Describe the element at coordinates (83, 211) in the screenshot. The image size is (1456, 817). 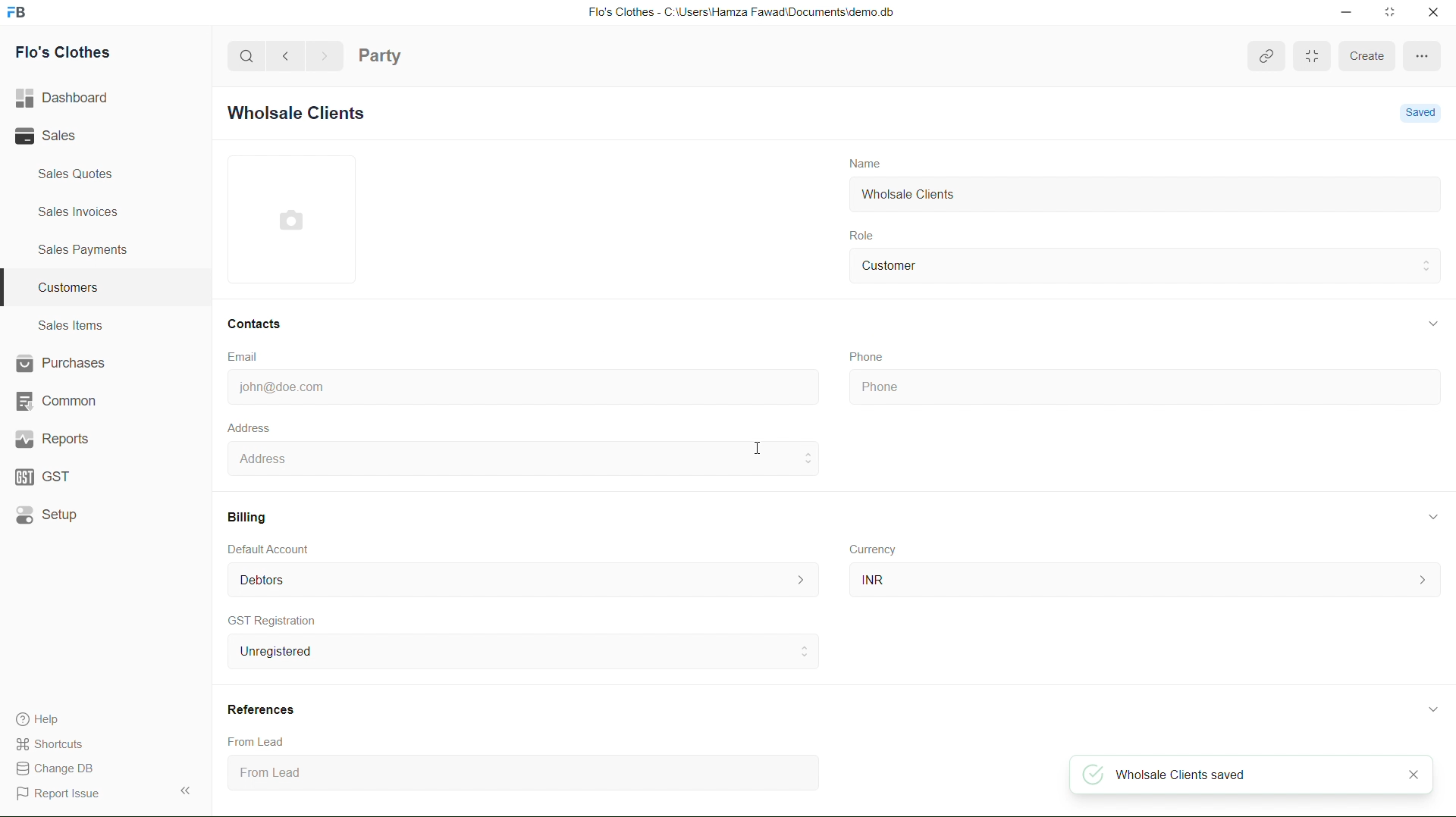
I see `Sales Invoices` at that location.